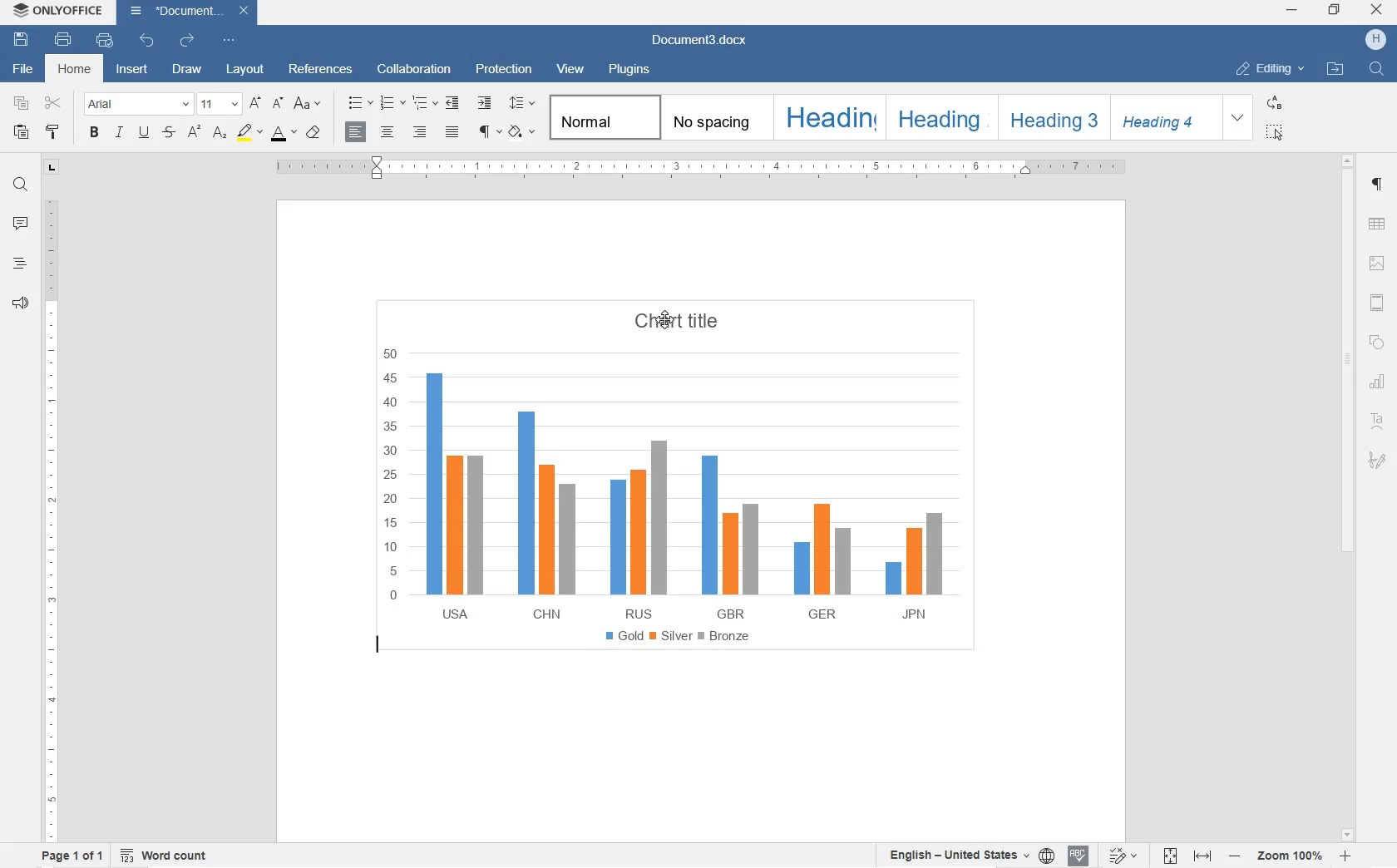 Image resolution: width=1397 pixels, height=868 pixels. I want to click on SCROLLBAR, so click(1346, 498).